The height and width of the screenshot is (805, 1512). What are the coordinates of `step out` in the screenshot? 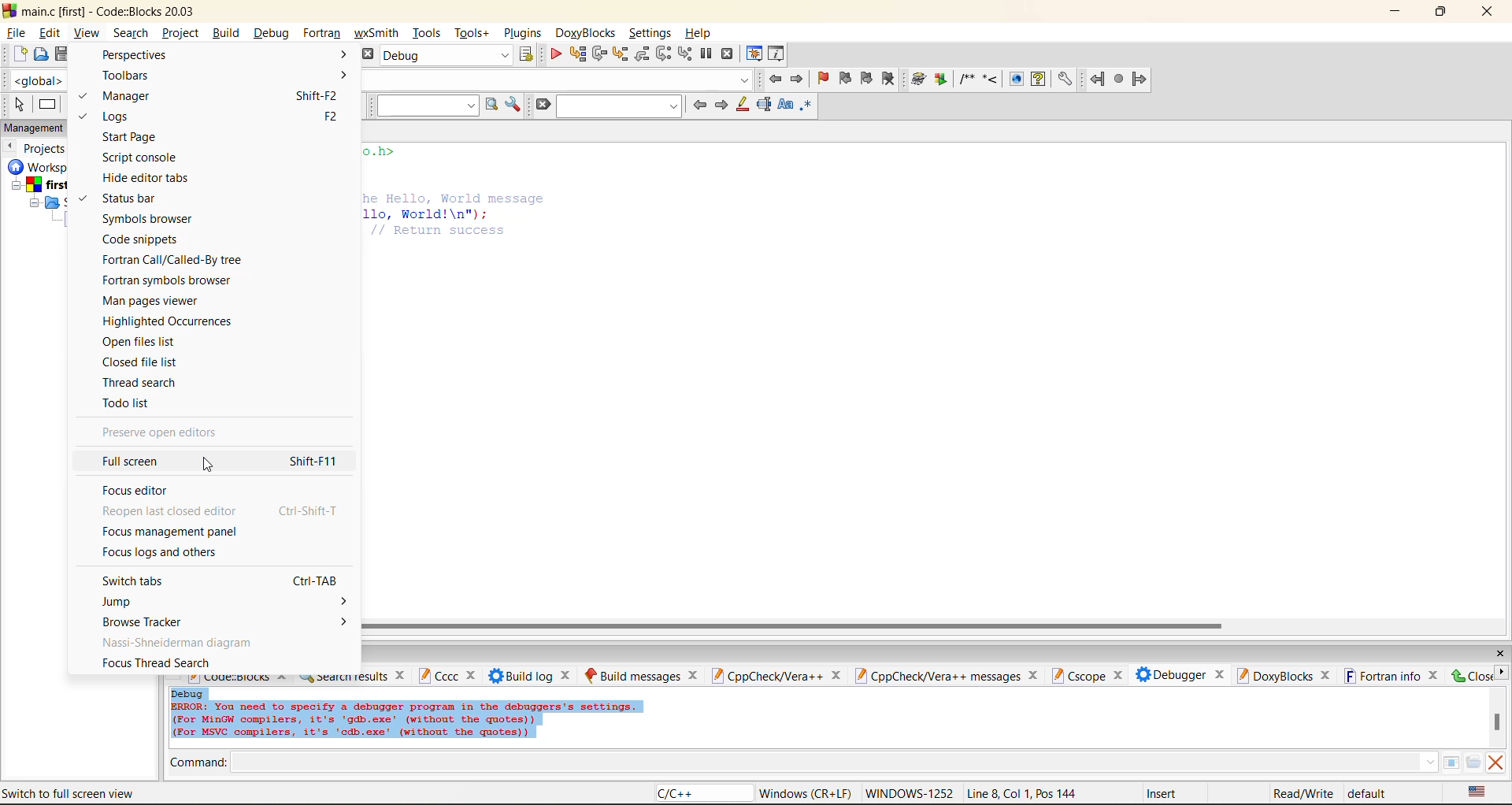 It's located at (645, 54).